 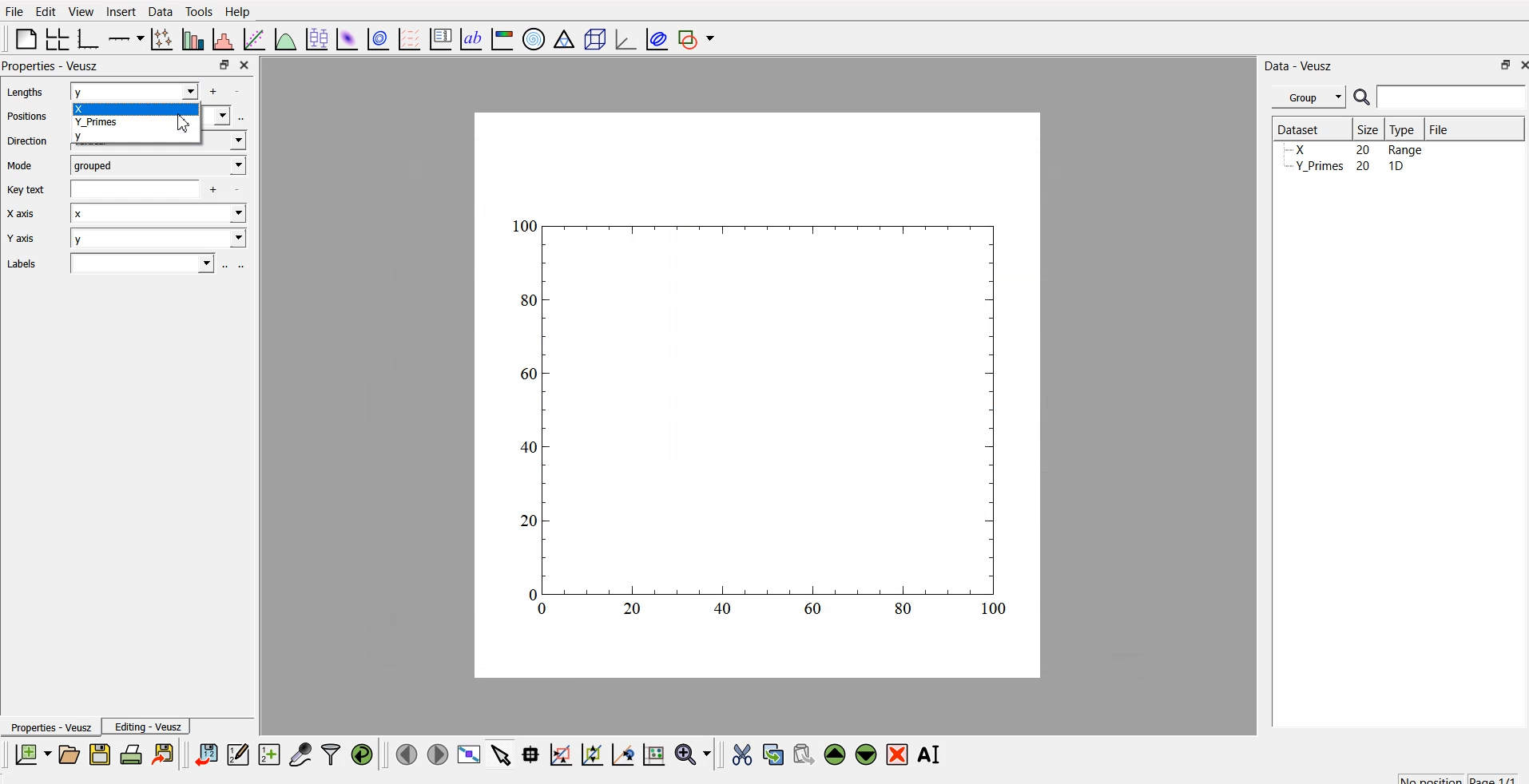 I want to click on plot data, so click(x=378, y=38).